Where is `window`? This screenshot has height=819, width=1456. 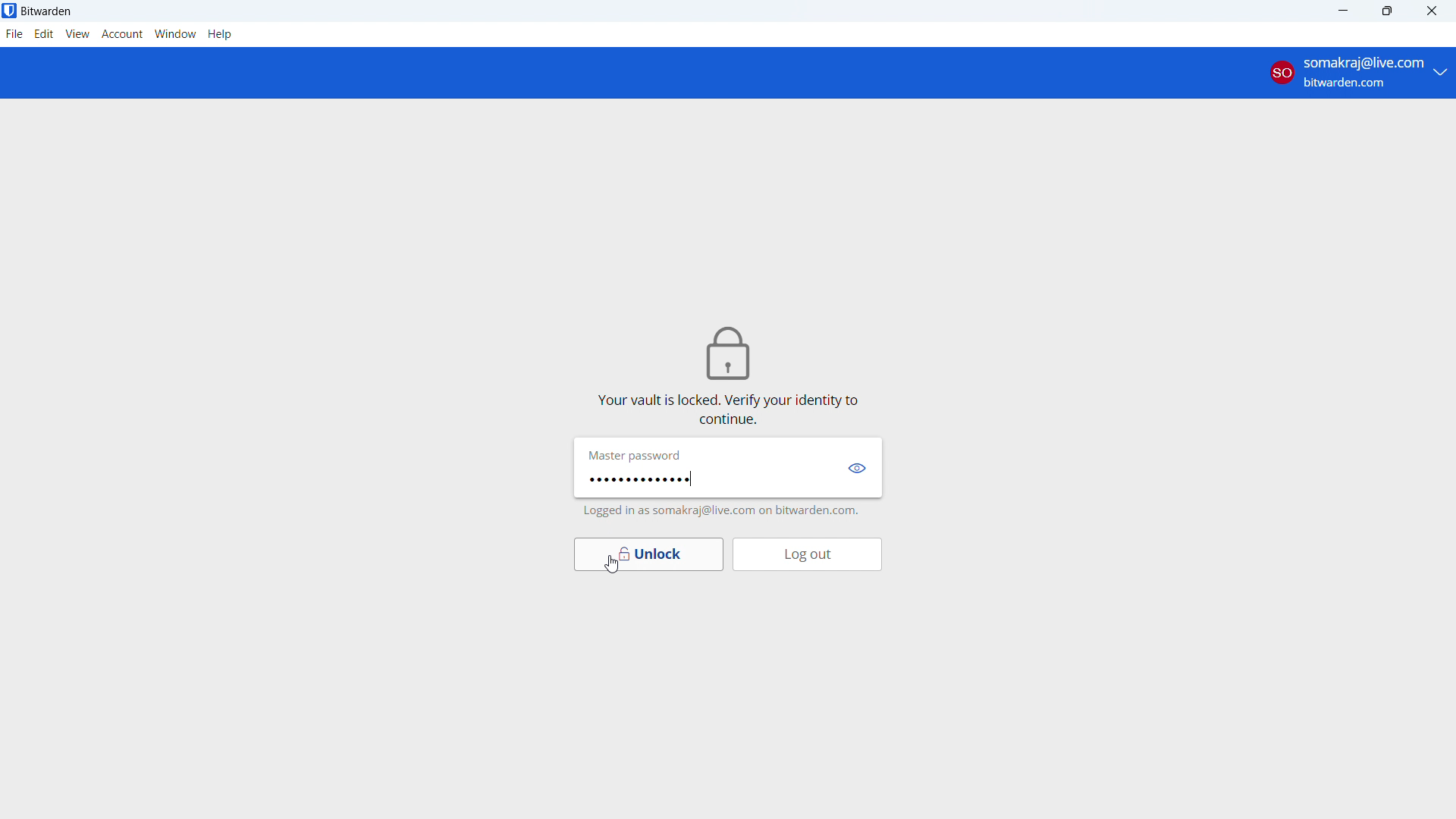 window is located at coordinates (175, 34).